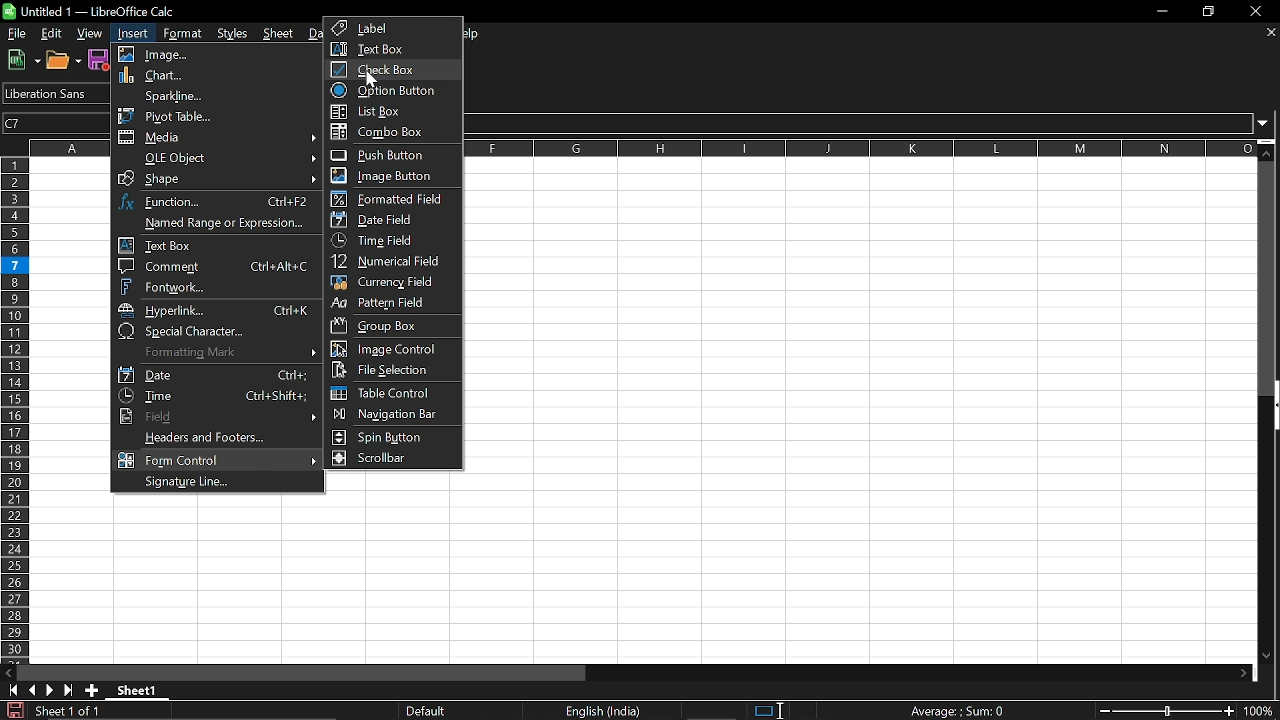 This screenshot has height=720, width=1280. I want to click on Current sheet, so click(142, 692).